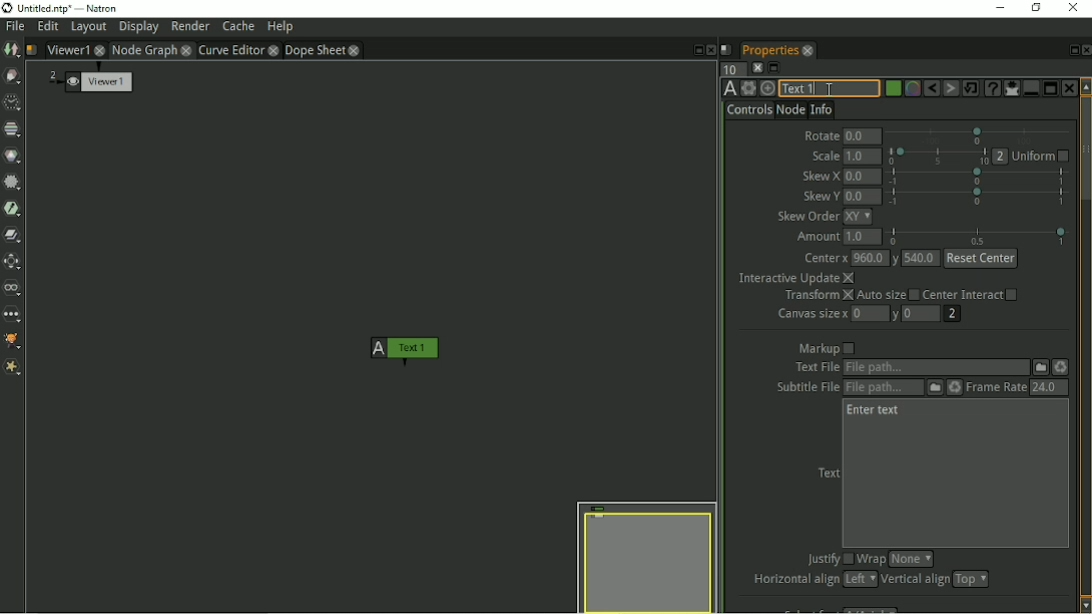 Image resolution: width=1092 pixels, height=614 pixels. I want to click on close, so click(356, 51).